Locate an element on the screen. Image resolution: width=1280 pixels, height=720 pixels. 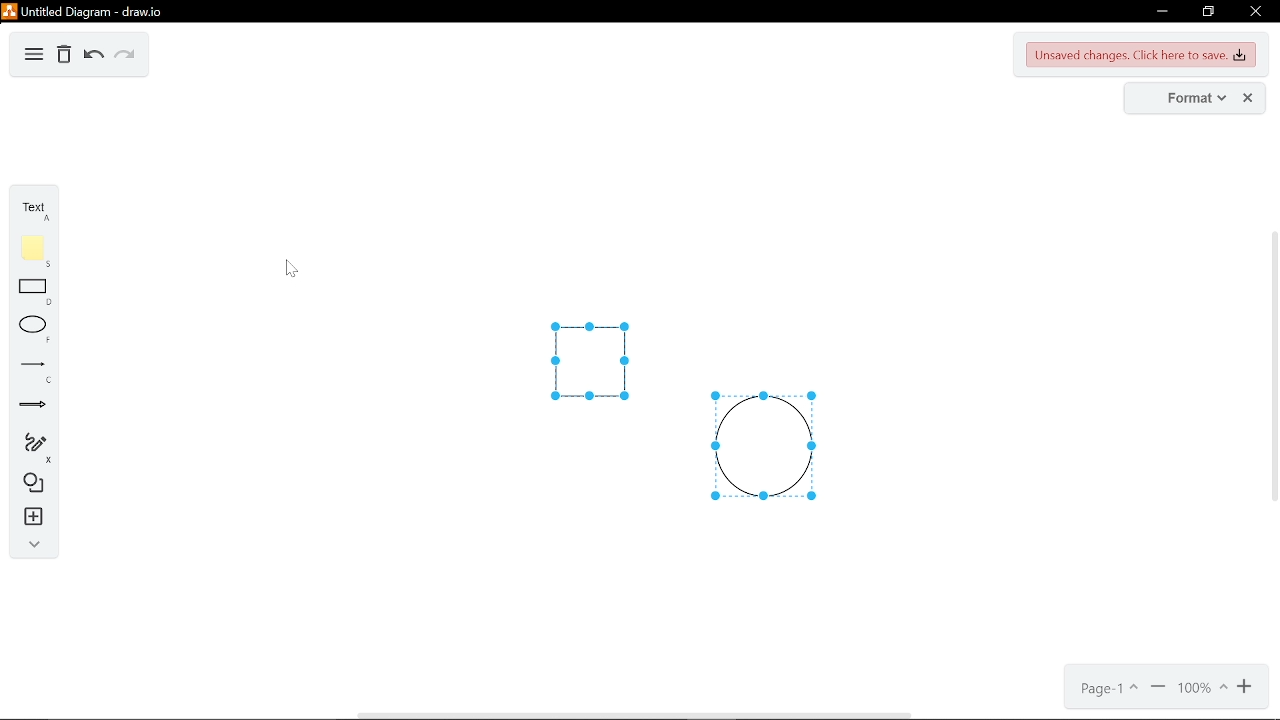
shapes is located at coordinates (30, 486).